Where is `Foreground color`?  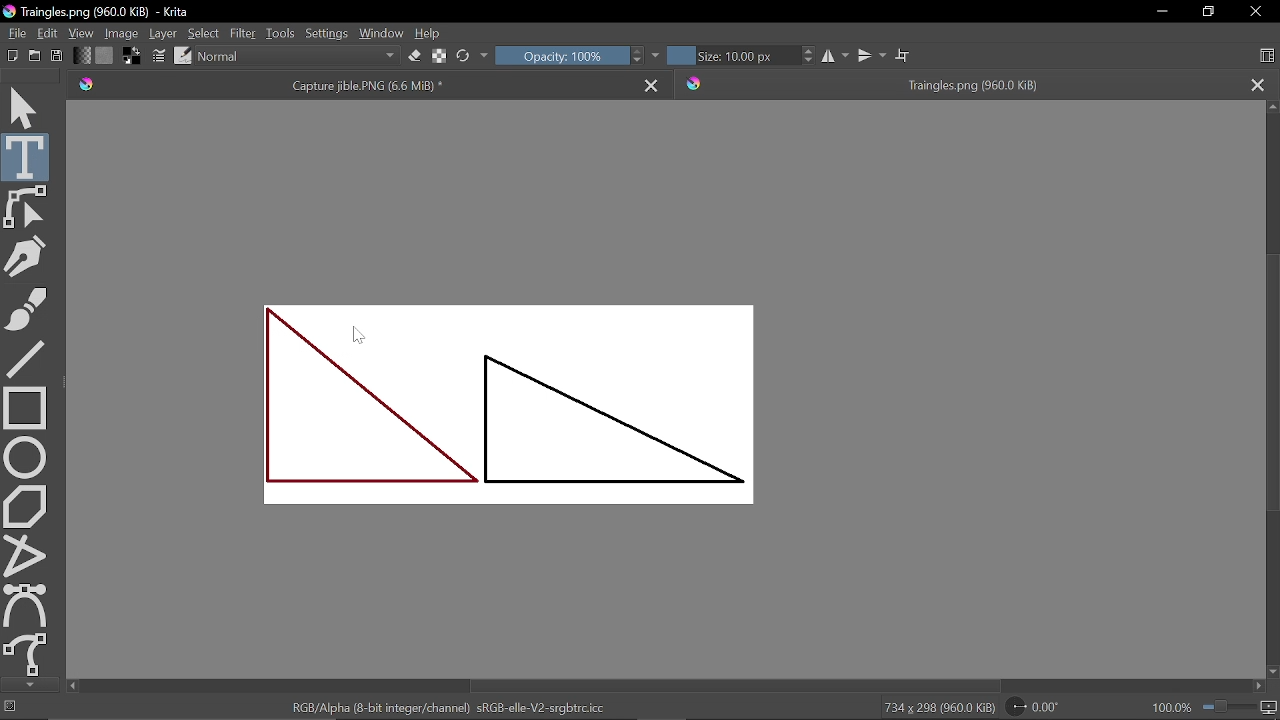
Foreground color is located at coordinates (133, 57).